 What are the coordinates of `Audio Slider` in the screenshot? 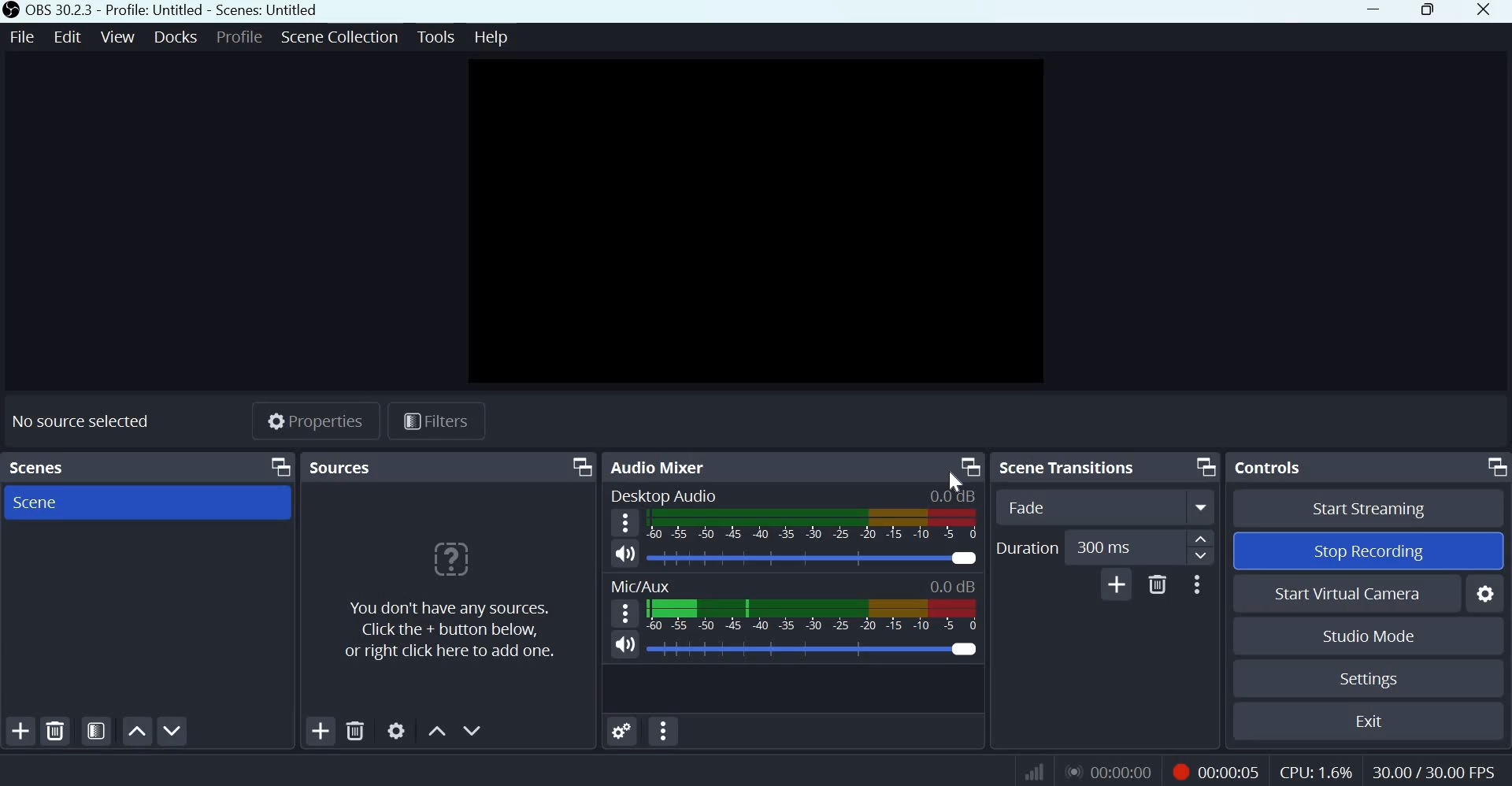 It's located at (962, 650).